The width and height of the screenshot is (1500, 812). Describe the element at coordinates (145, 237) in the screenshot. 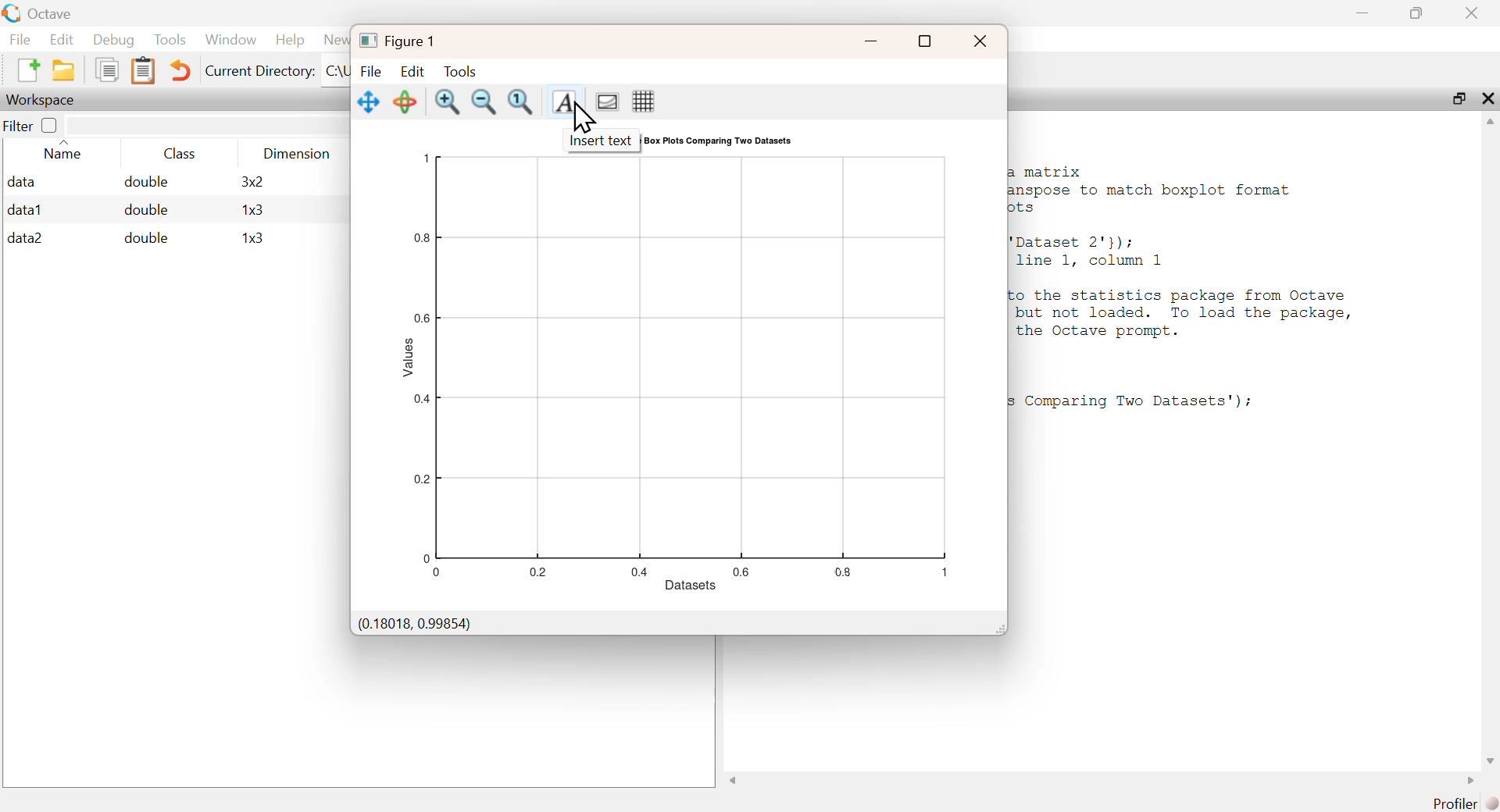

I see `double` at that location.